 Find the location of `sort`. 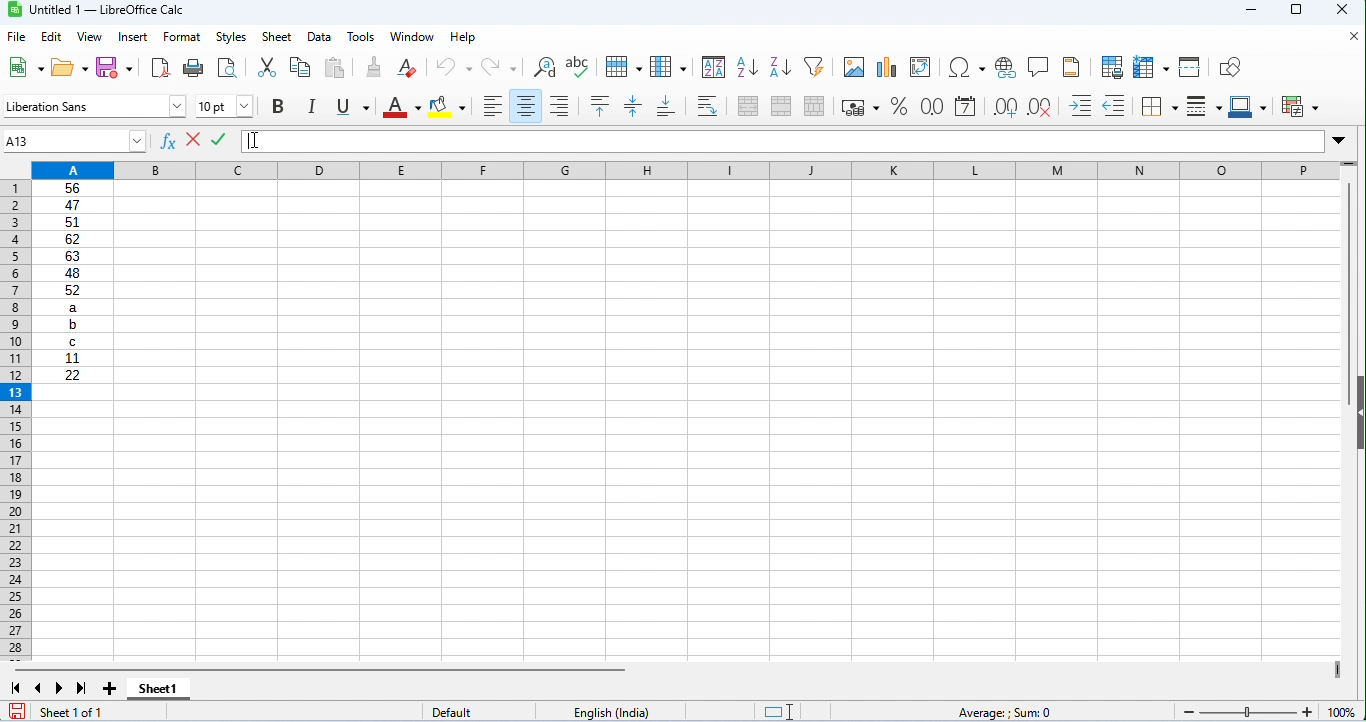

sort is located at coordinates (714, 67).